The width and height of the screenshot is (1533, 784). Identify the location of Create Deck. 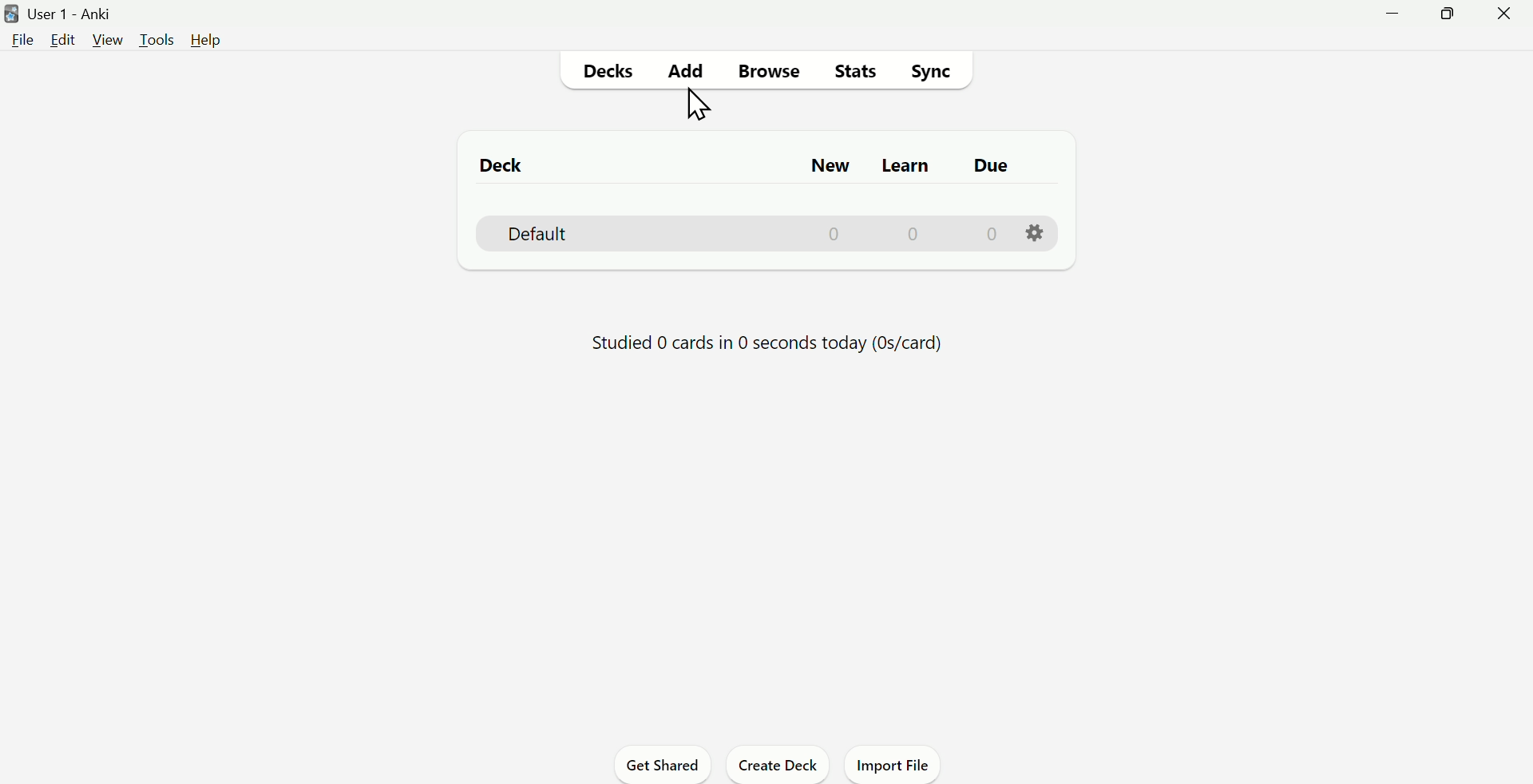
(777, 766).